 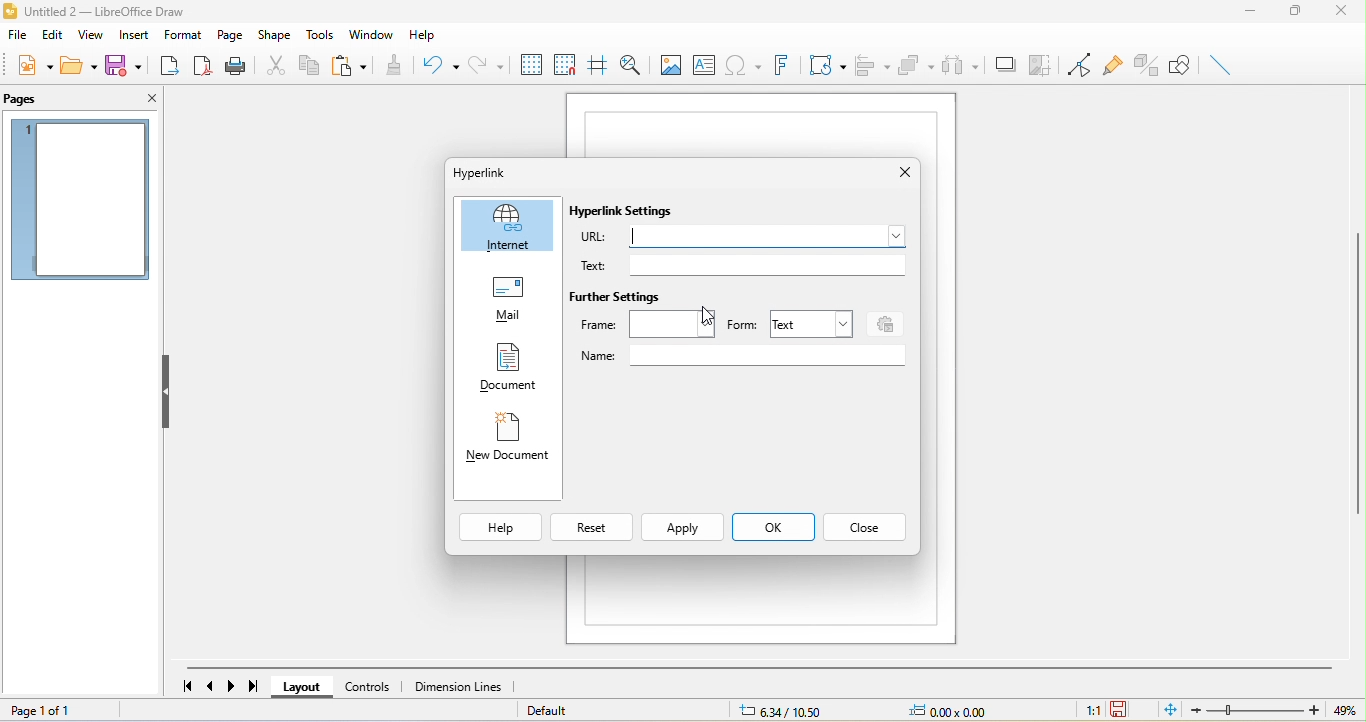 I want to click on controls, so click(x=373, y=688).